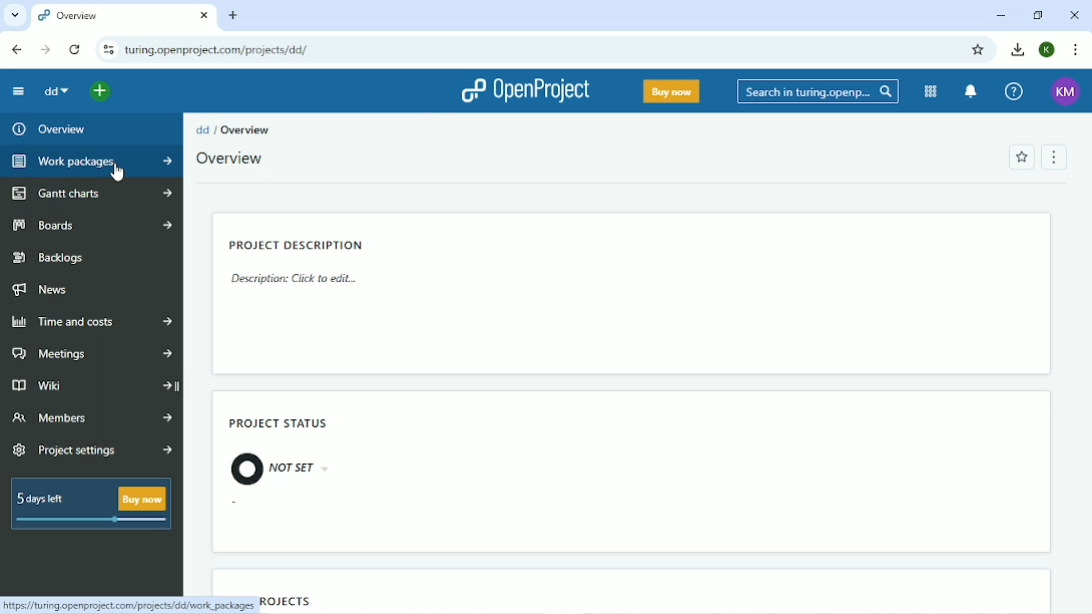 The image size is (1092, 614). Describe the element at coordinates (14, 14) in the screenshot. I see `Search tabs` at that location.